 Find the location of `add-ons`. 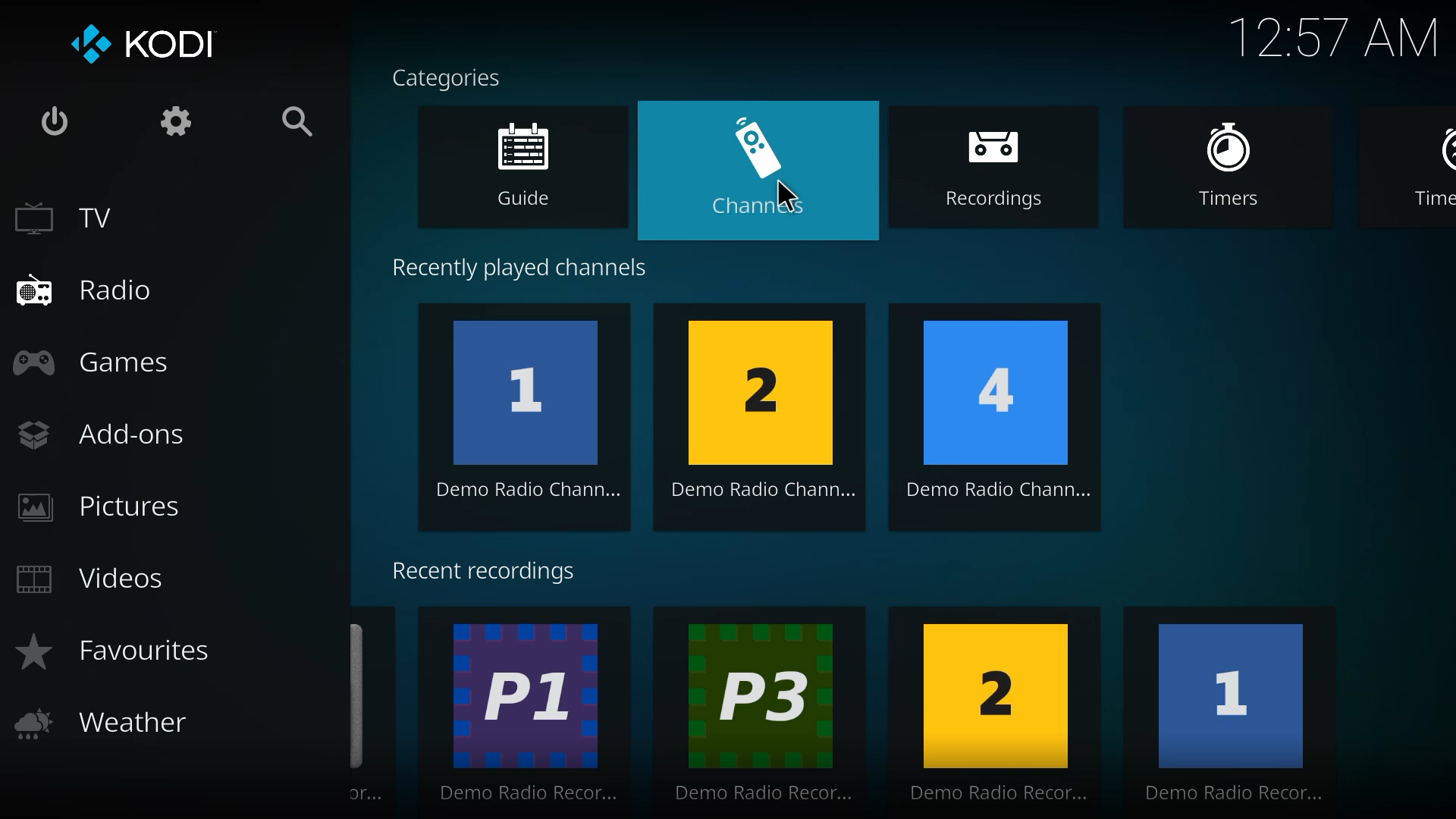

add-ons is located at coordinates (105, 438).